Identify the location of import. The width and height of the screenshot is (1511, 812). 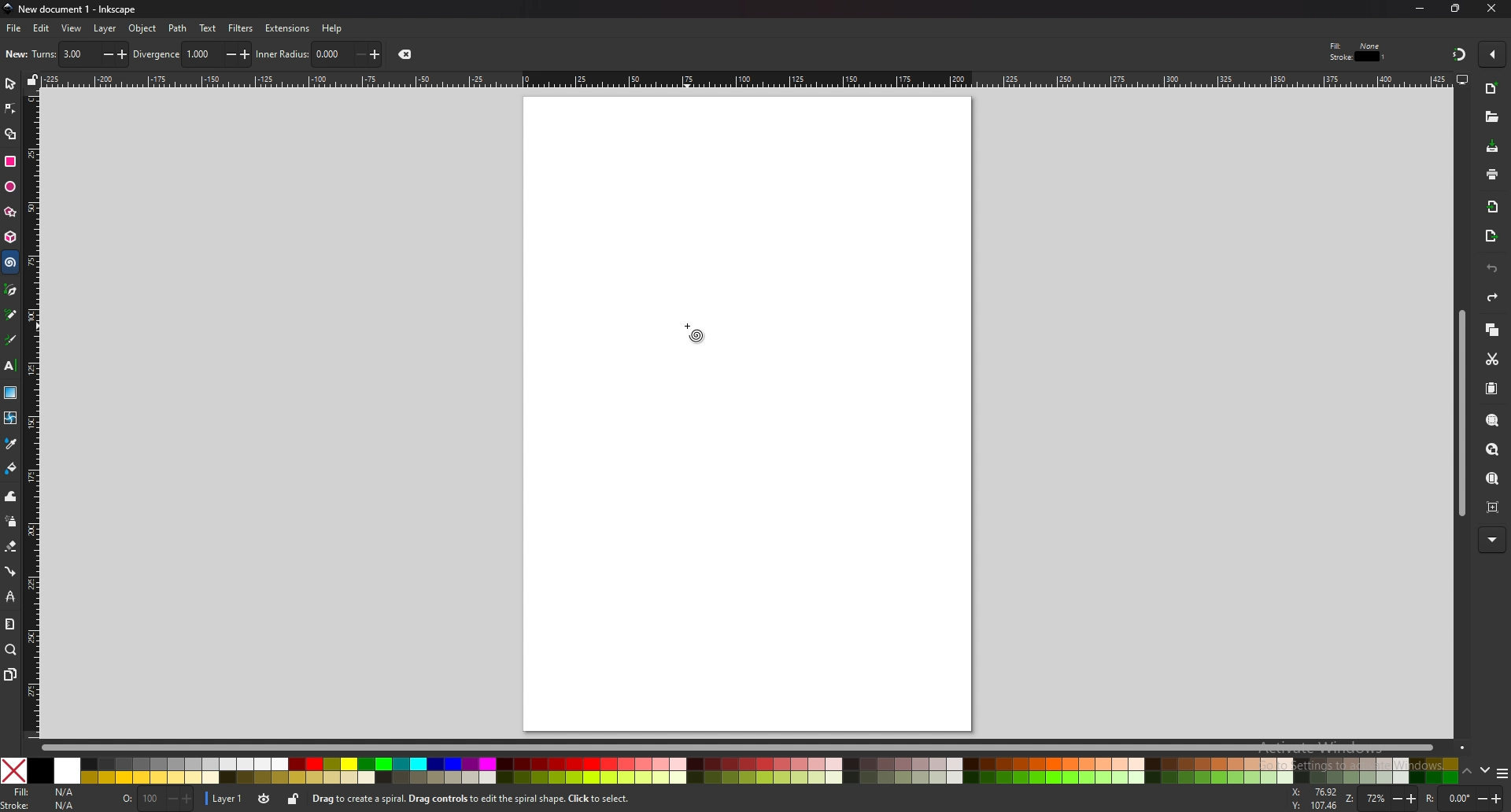
(1492, 207).